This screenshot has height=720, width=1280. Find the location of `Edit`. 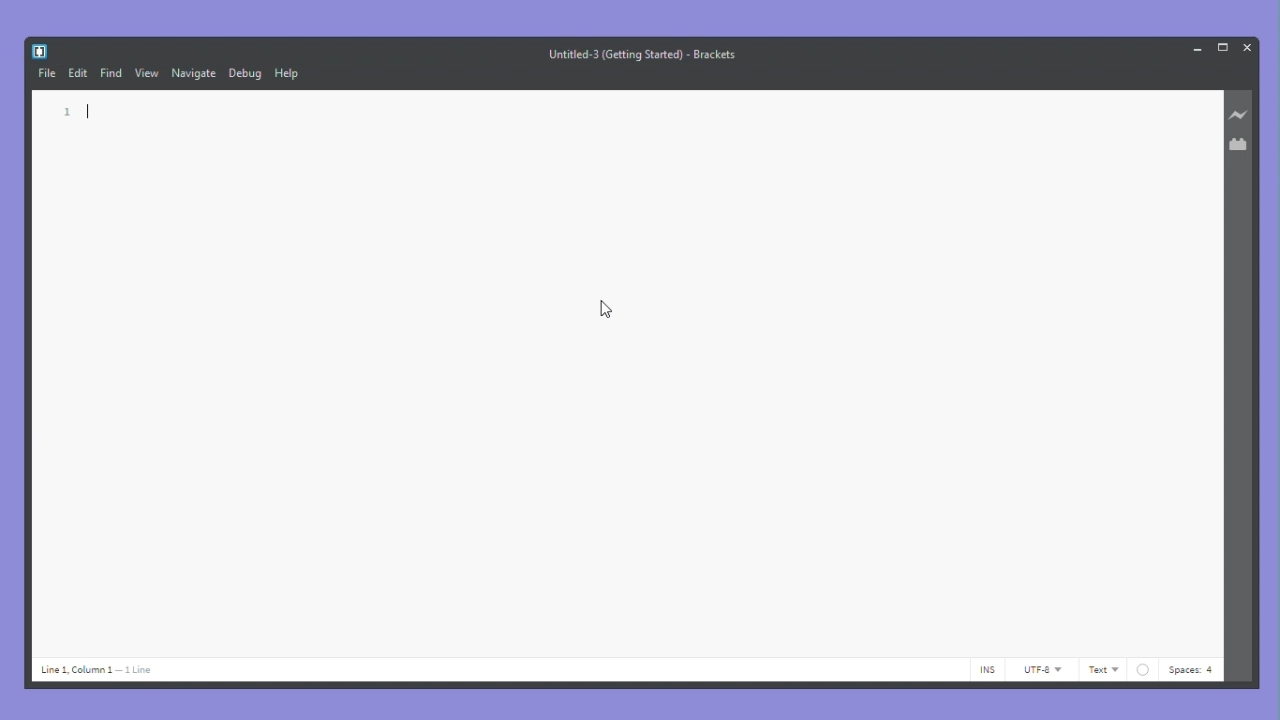

Edit is located at coordinates (78, 71).